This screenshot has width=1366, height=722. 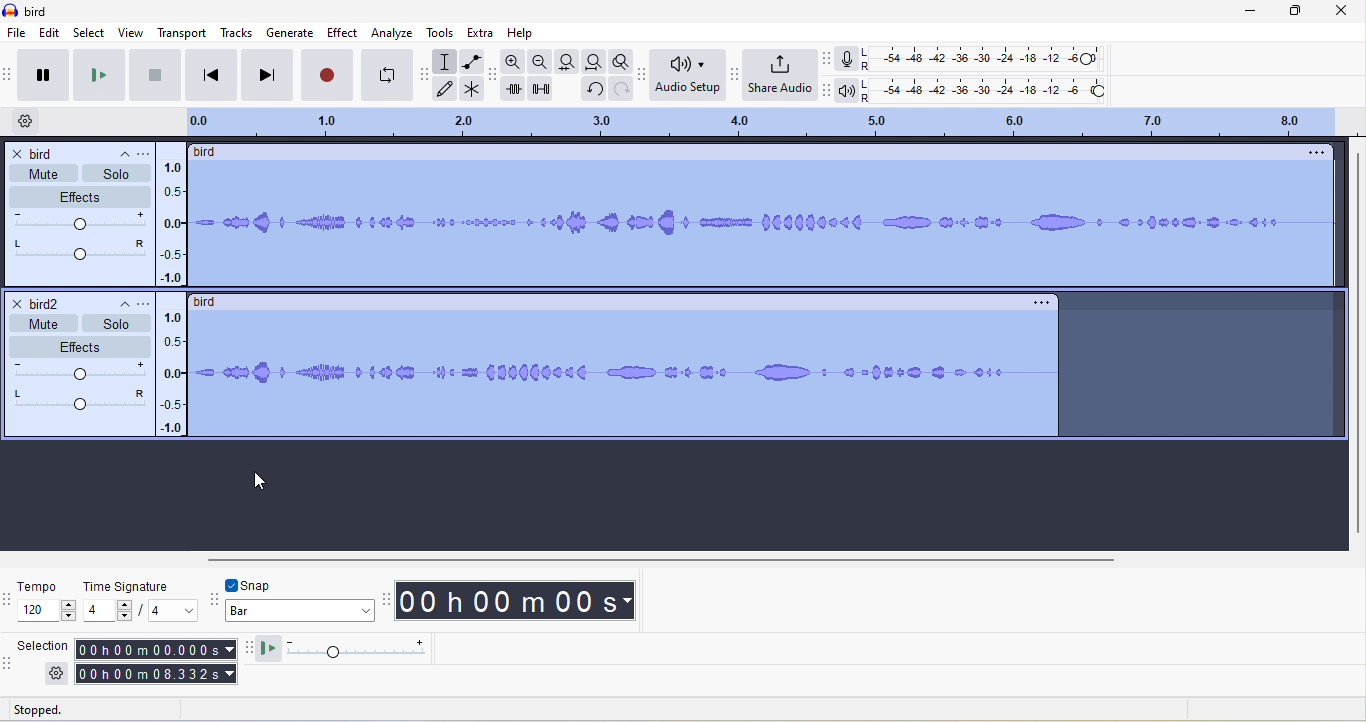 I want to click on zoom in, so click(x=514, y=61).